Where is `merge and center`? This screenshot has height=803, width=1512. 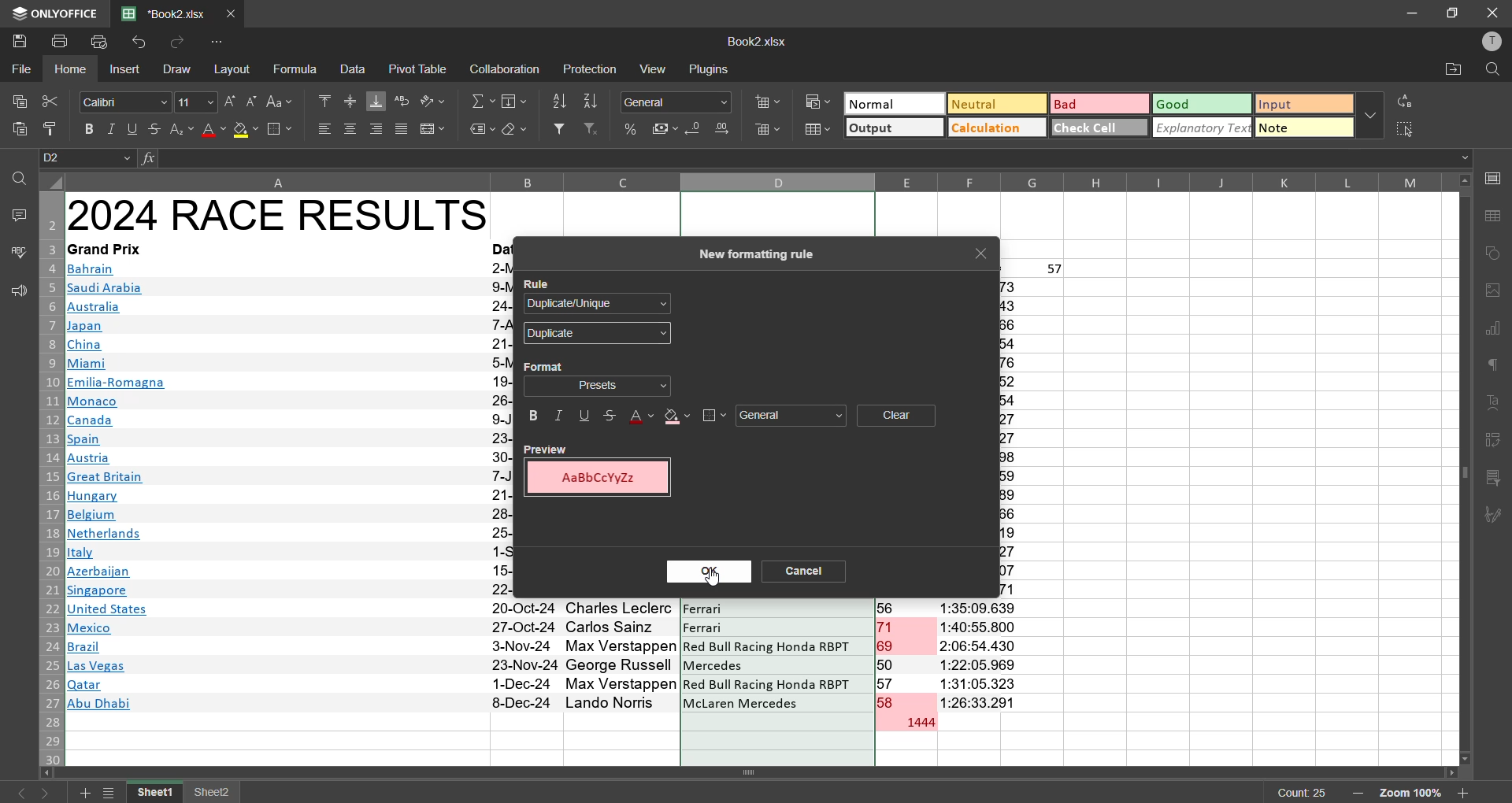 merge and center is located at coordinates (432, 130).